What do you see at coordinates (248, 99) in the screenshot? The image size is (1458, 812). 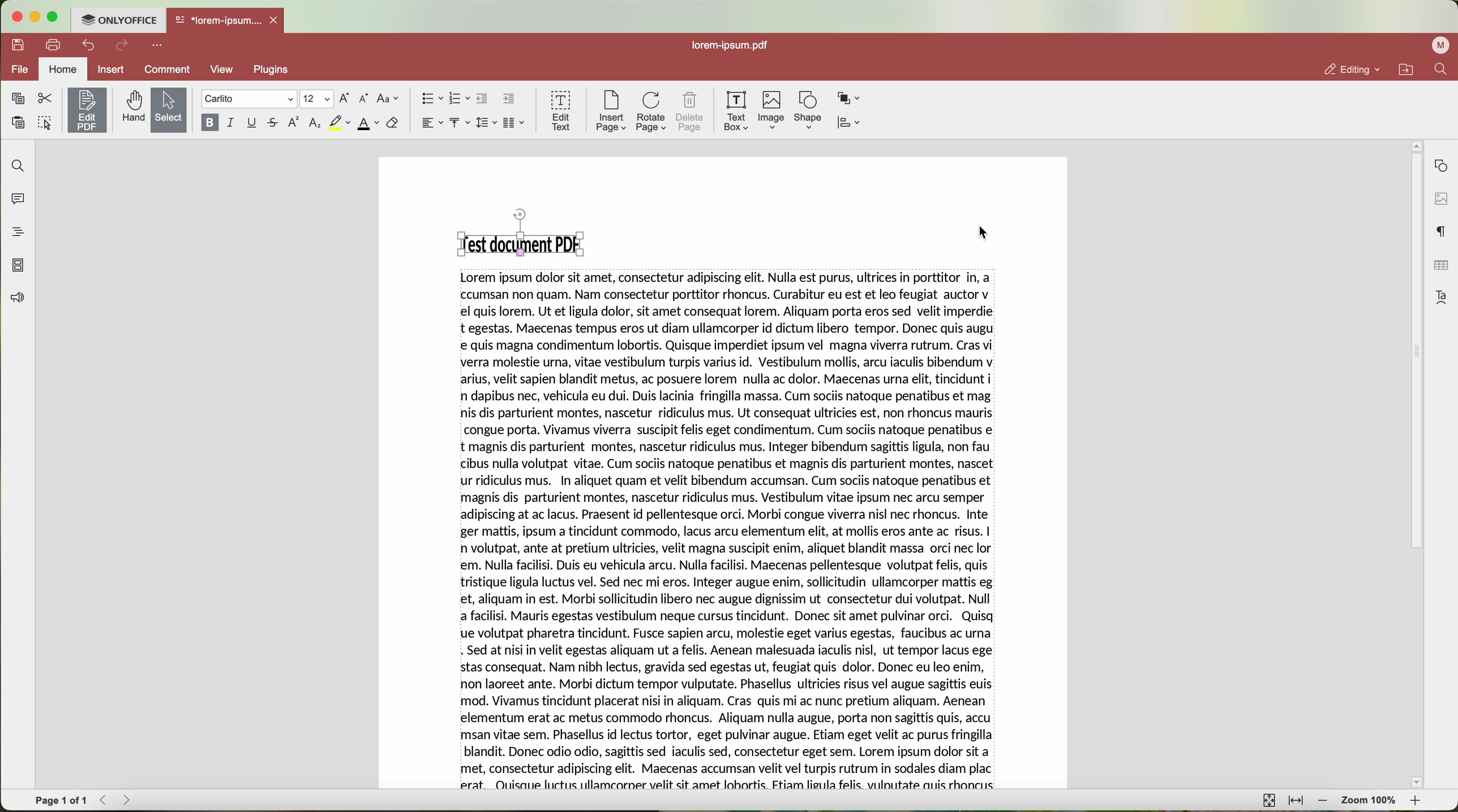 I see `Carlito` at bounding box center [248, 99].